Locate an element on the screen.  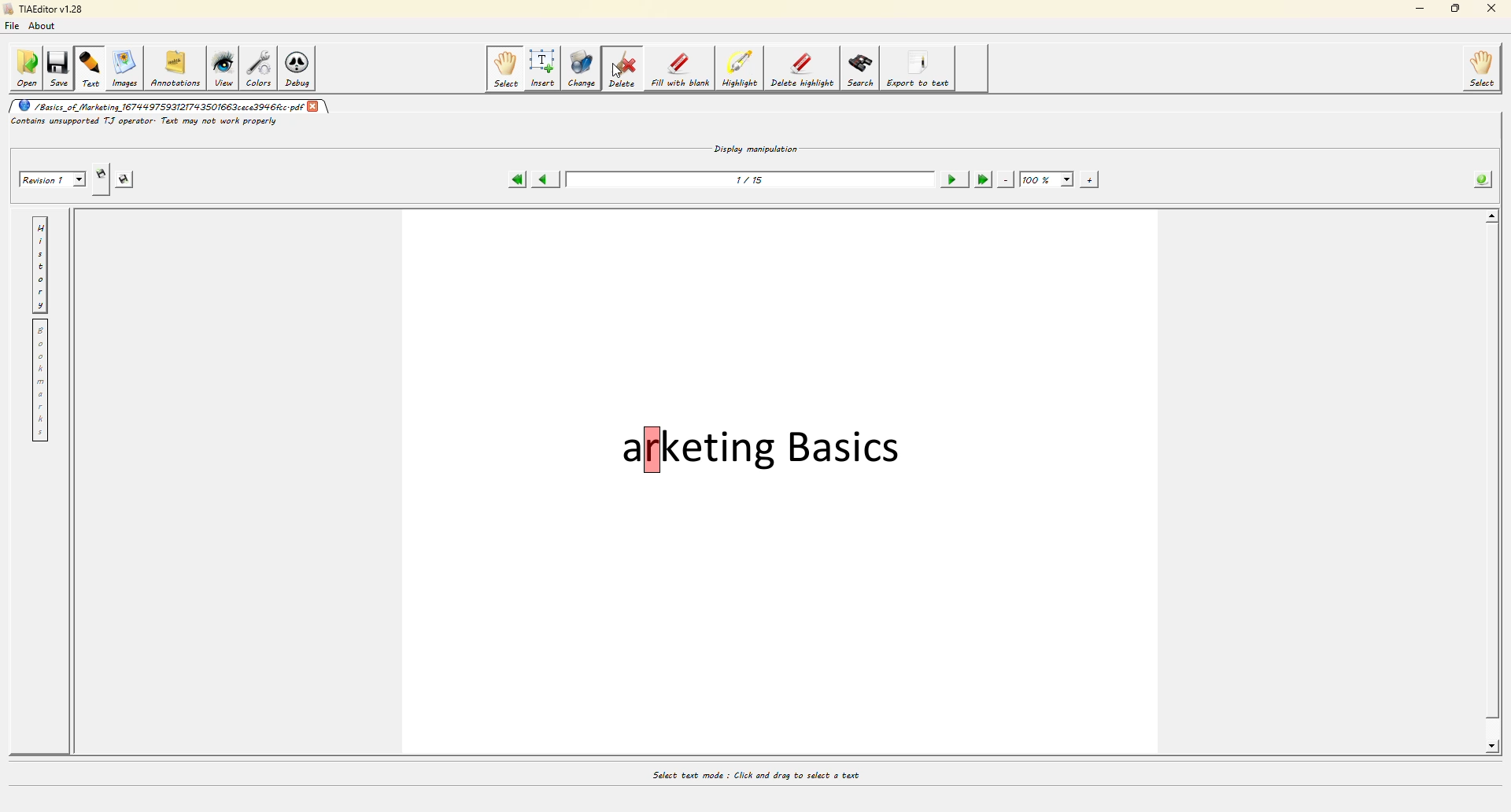
maximize is located at coordinates (1453, 10).